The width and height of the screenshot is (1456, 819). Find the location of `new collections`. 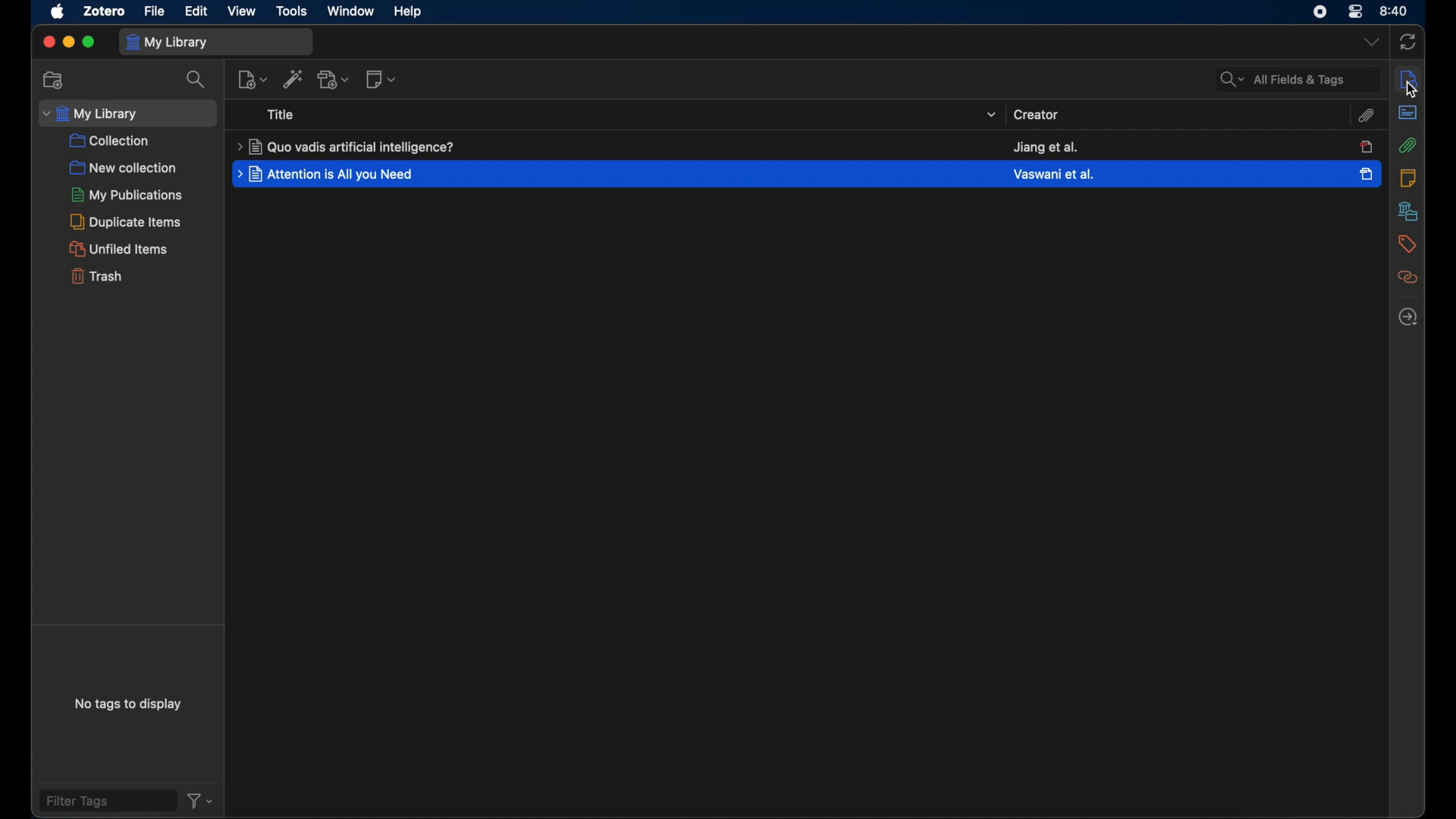

new collections is located at coordinates (55, 80).